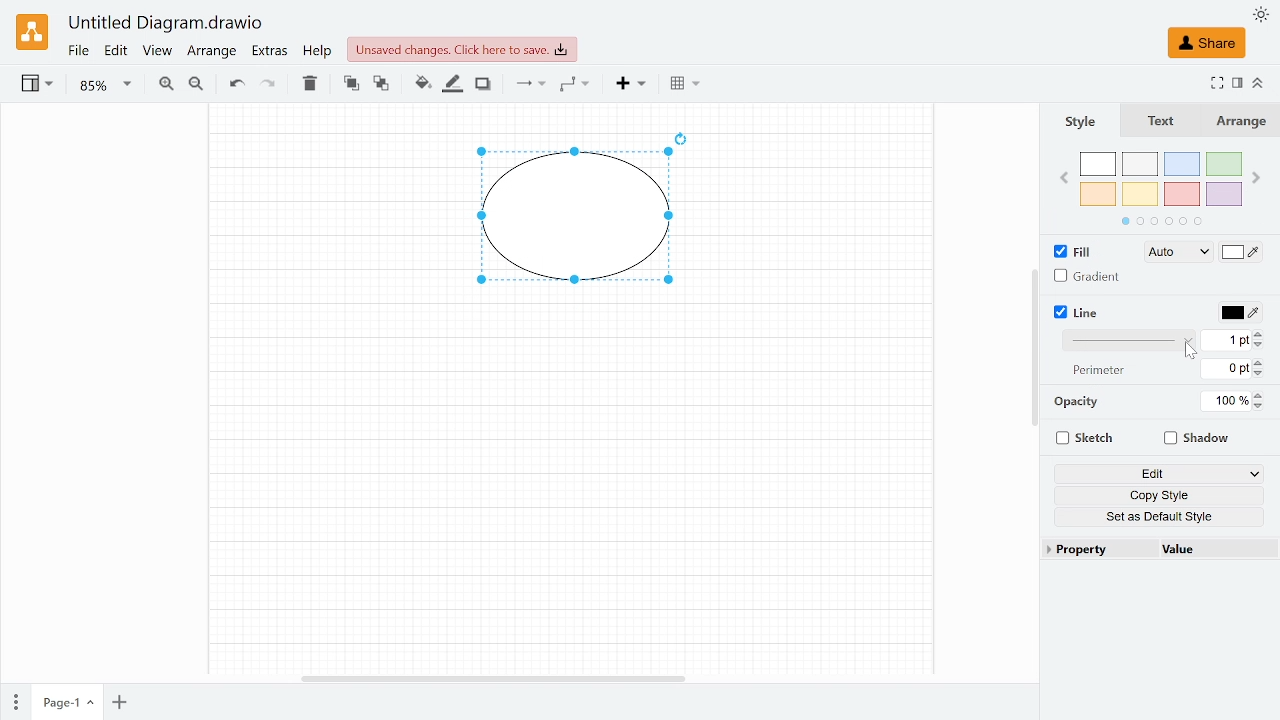 This screenshot has height=720, width=1280. Describe the element at coordinates (103, 85) in the screenshot. I see `Zoom` at that location.